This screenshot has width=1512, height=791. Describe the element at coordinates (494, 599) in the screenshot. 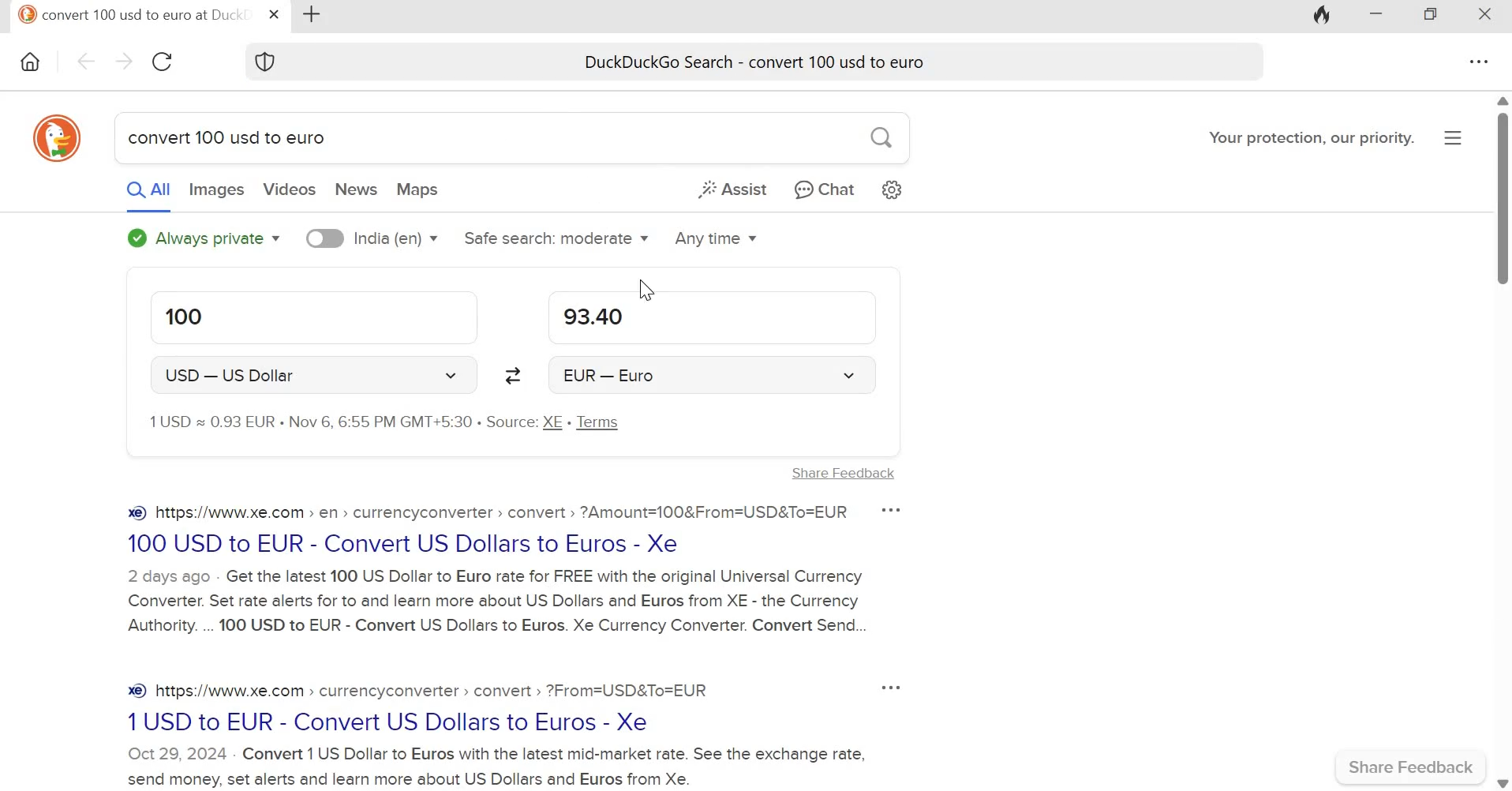

I see `Converter. Set rate alerts for to and learn more about US Dollars and Euros from XE - the Currency` at that location.